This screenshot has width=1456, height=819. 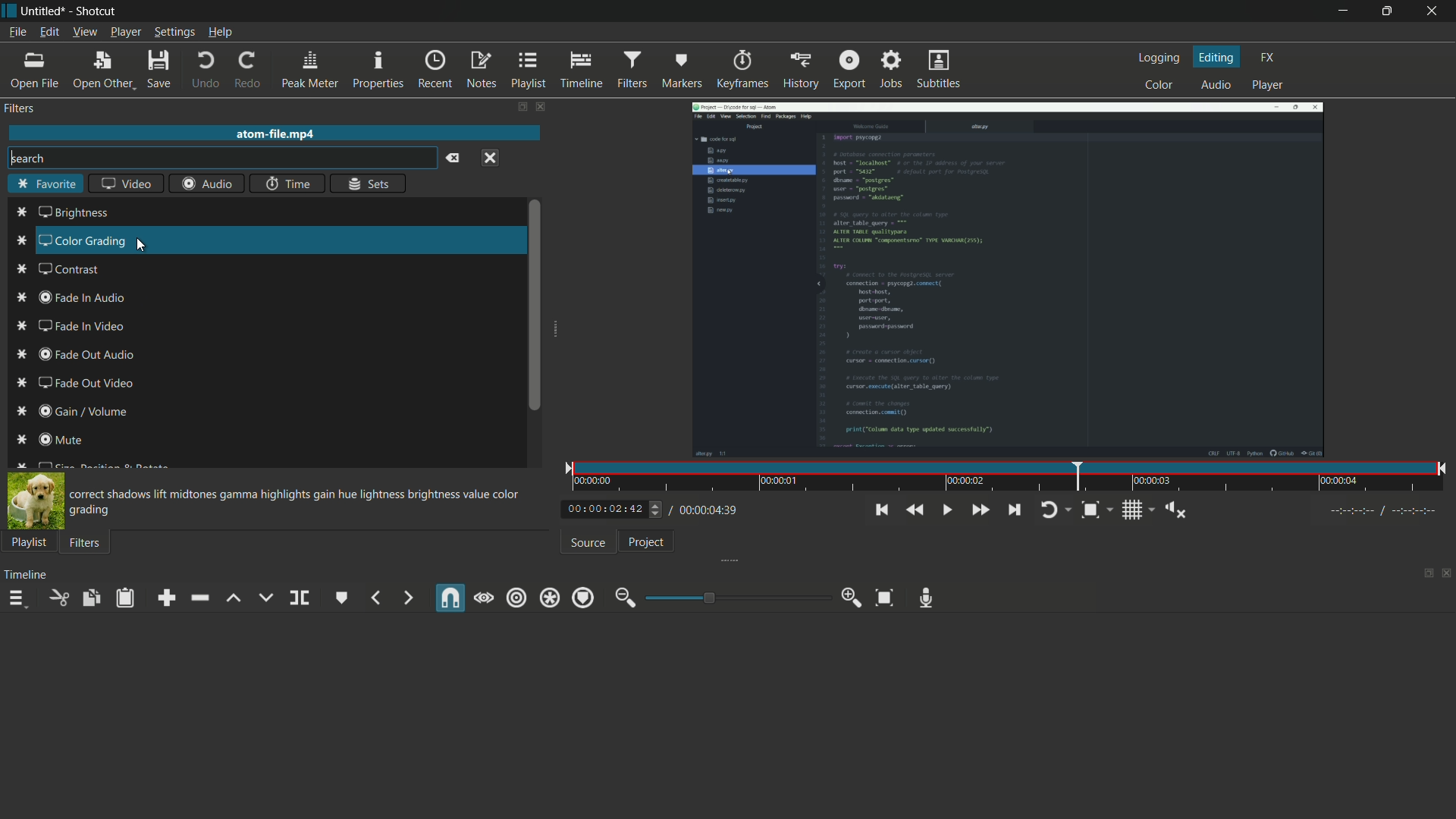 What do you see at coordinates (342, 598) in the screenshot?
I see `create or edit marker` at bounding box center [342, 598].